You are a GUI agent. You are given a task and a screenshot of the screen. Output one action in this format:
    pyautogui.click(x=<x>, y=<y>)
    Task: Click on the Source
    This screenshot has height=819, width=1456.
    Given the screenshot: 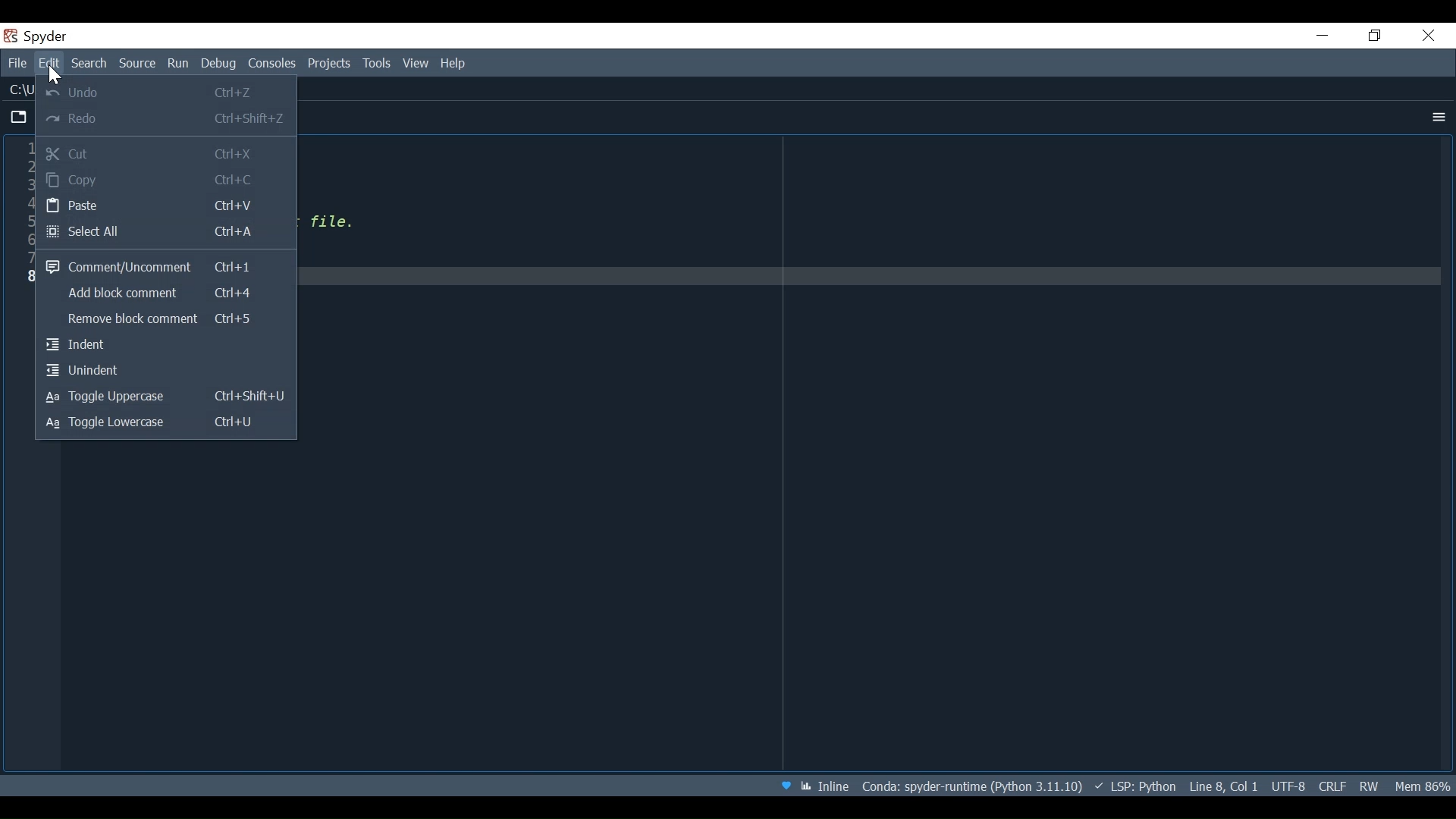 What is the action you would take?
    pyautogui.click(x=138, y=64)
    